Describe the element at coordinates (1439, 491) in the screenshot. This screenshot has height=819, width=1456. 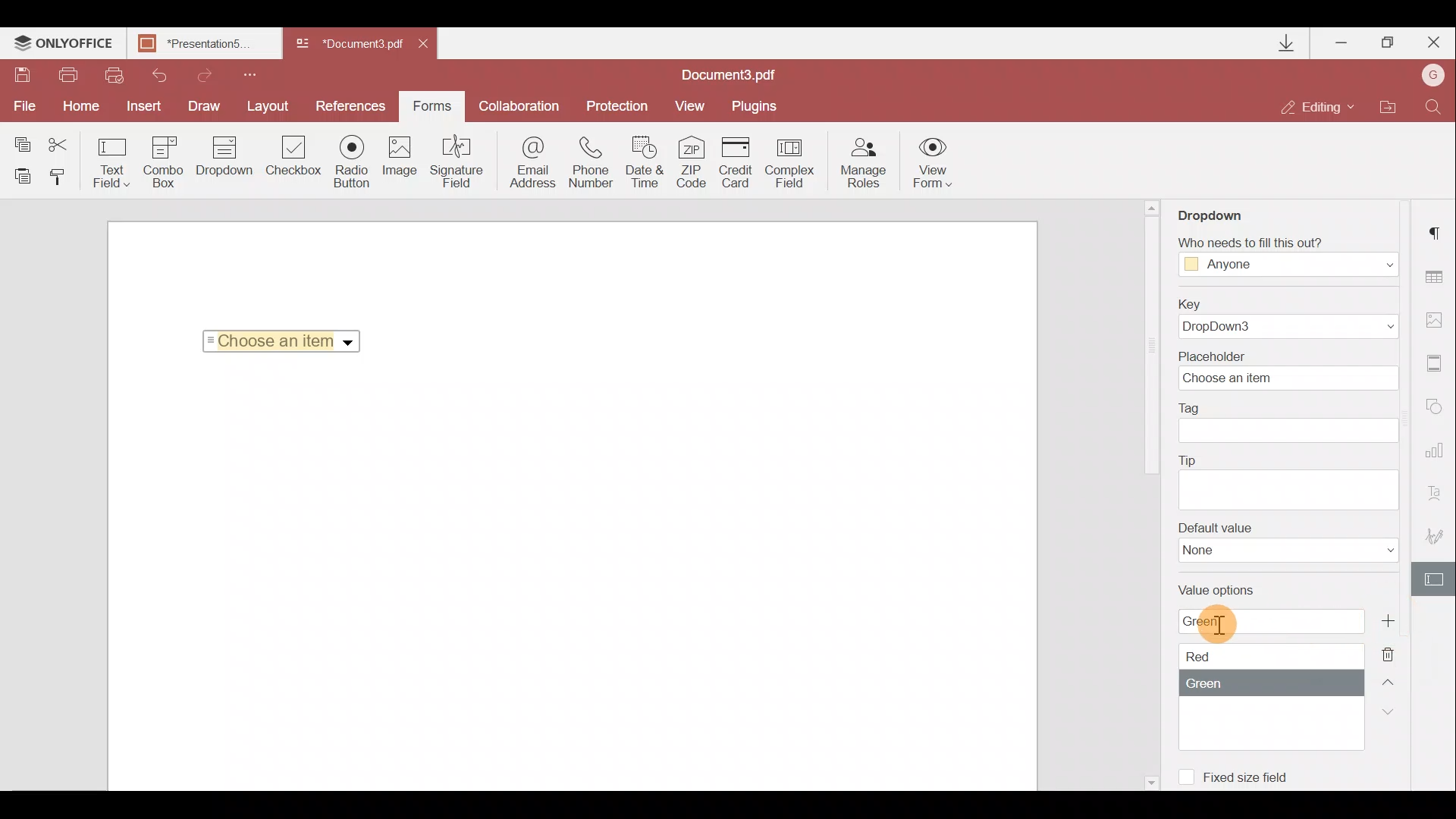
I see `Text Art settings` at that location.